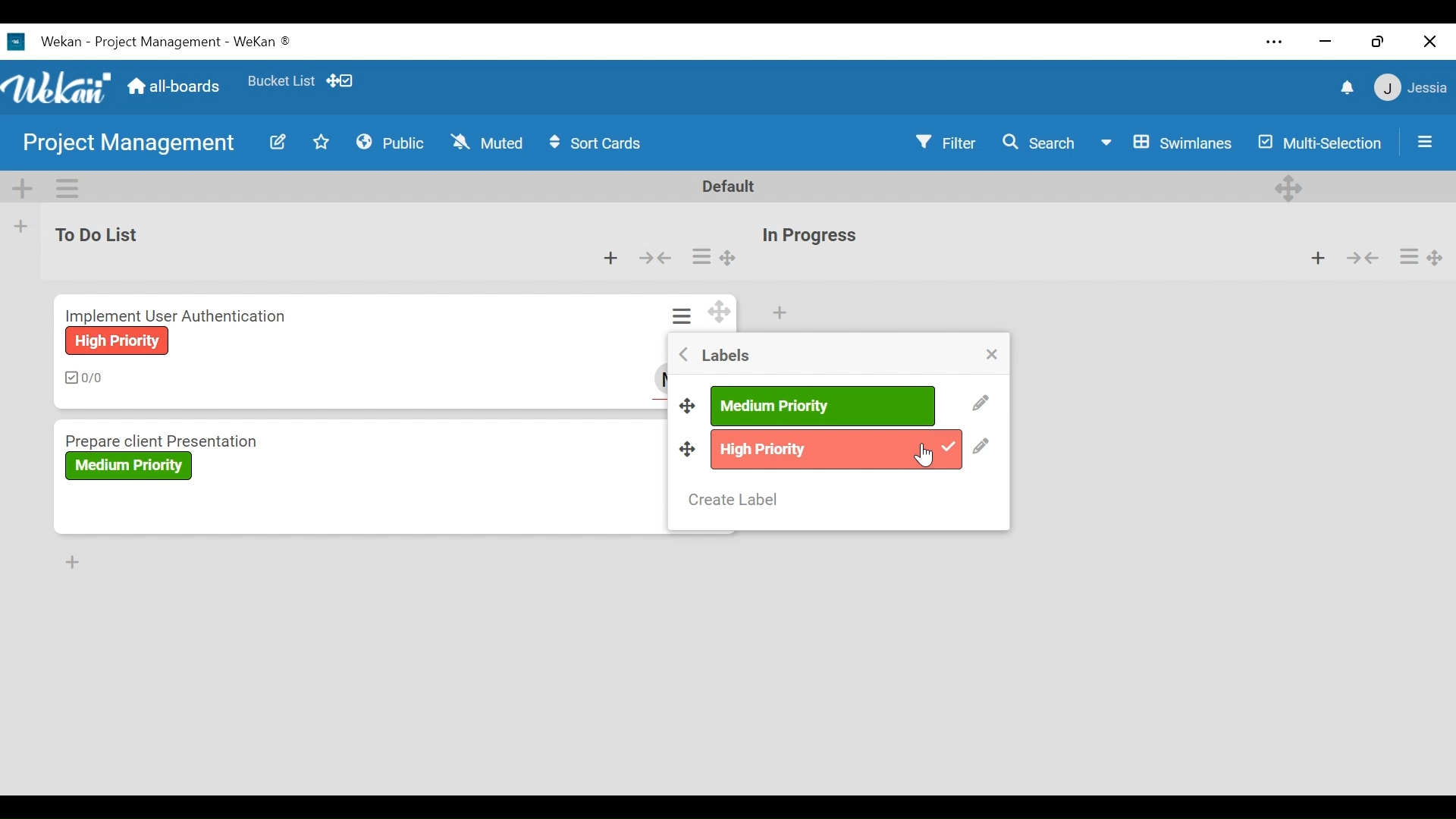  I want to click on Sort Cards, so click(601, 143).